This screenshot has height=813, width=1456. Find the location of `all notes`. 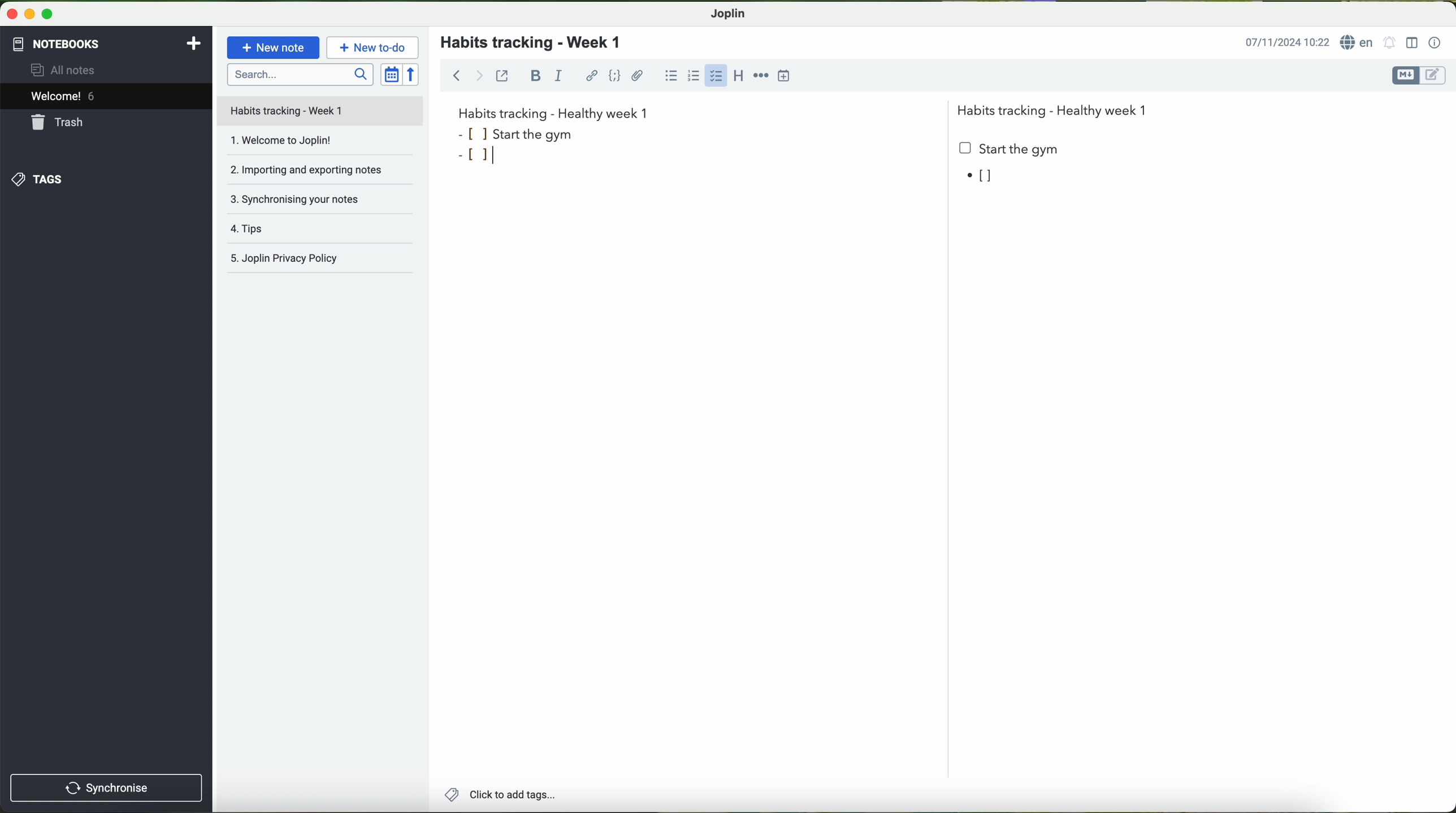

all notes is located at coordinates (66, 69).